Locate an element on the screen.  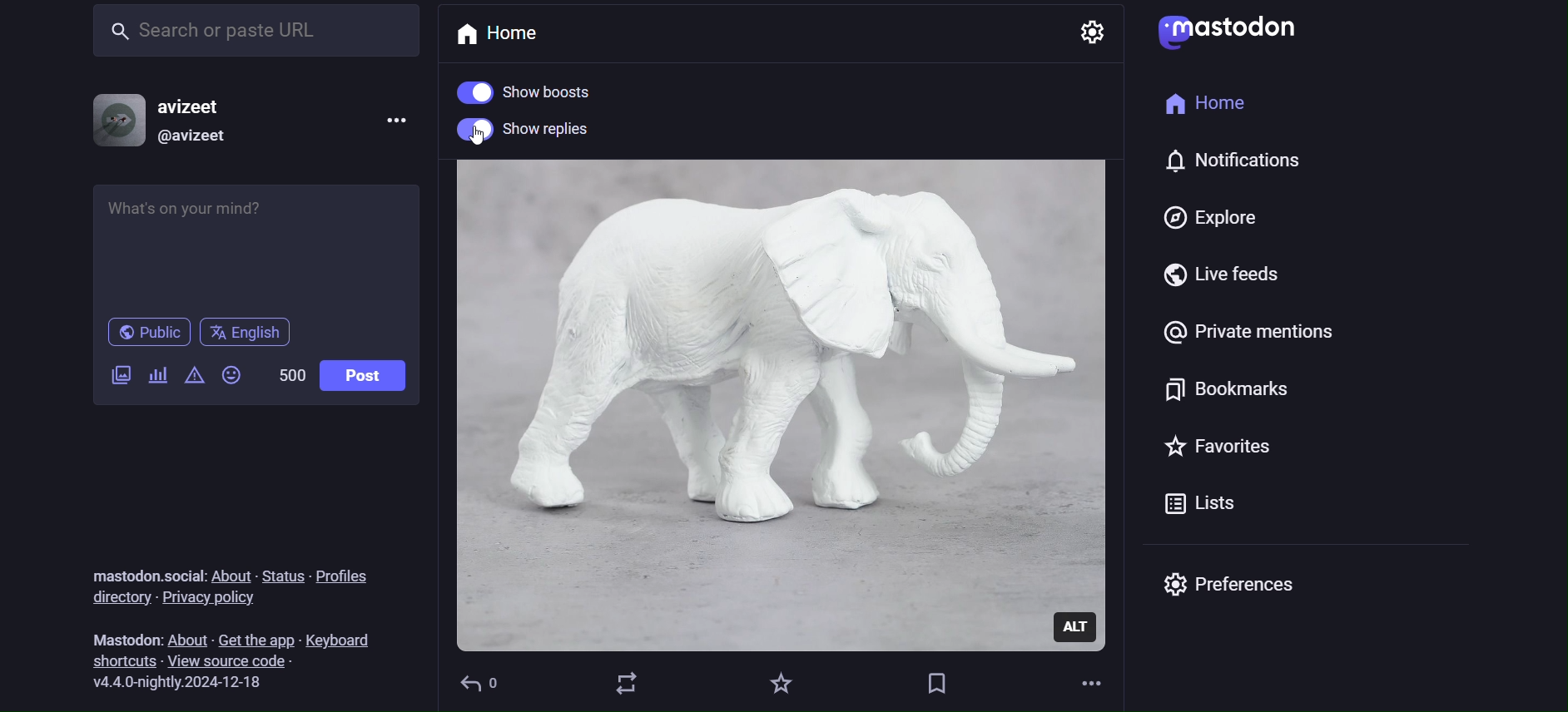
menu is located at coordinates (390, 125).